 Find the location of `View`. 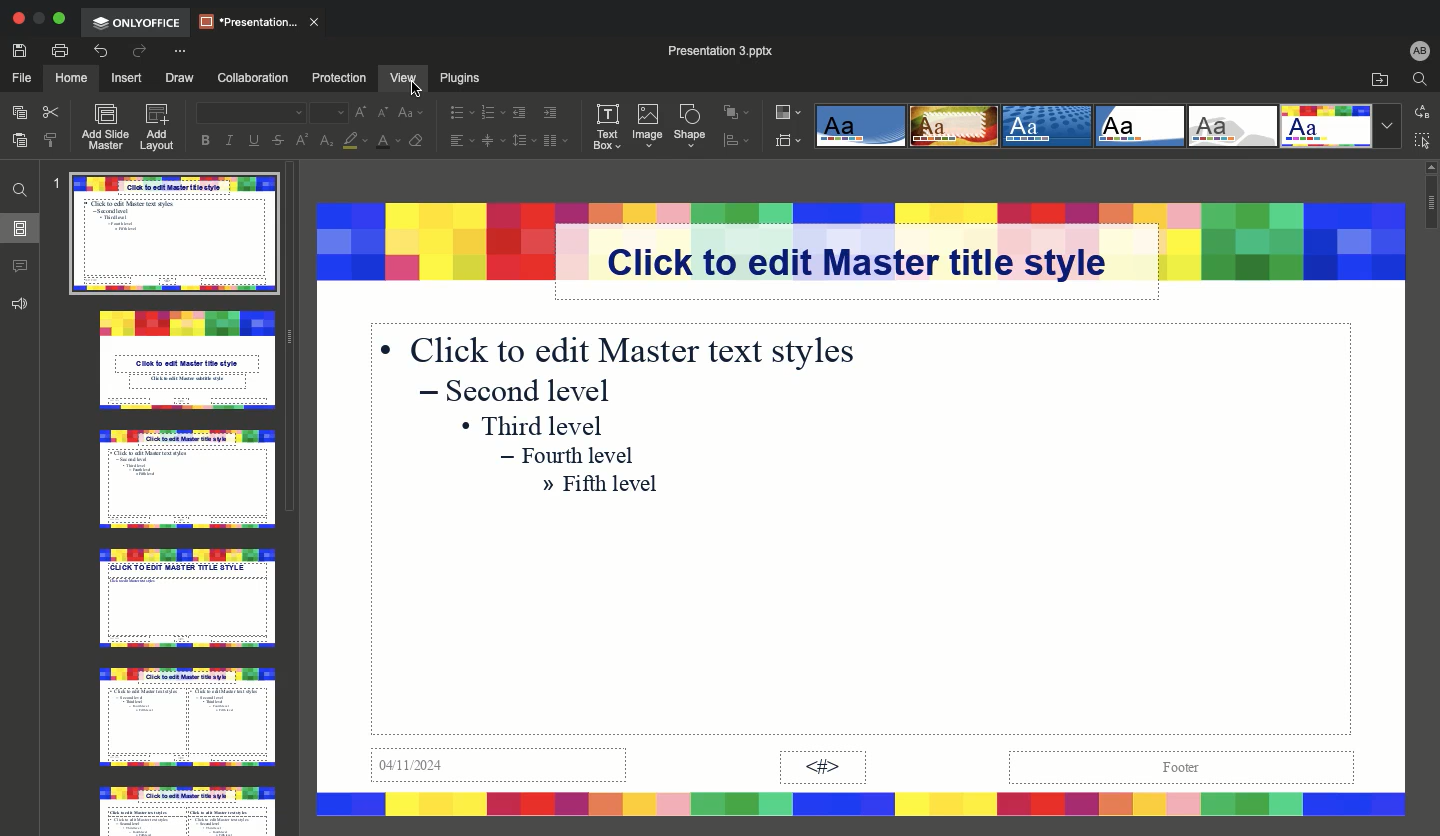

View is located at coordinates (399, 77).